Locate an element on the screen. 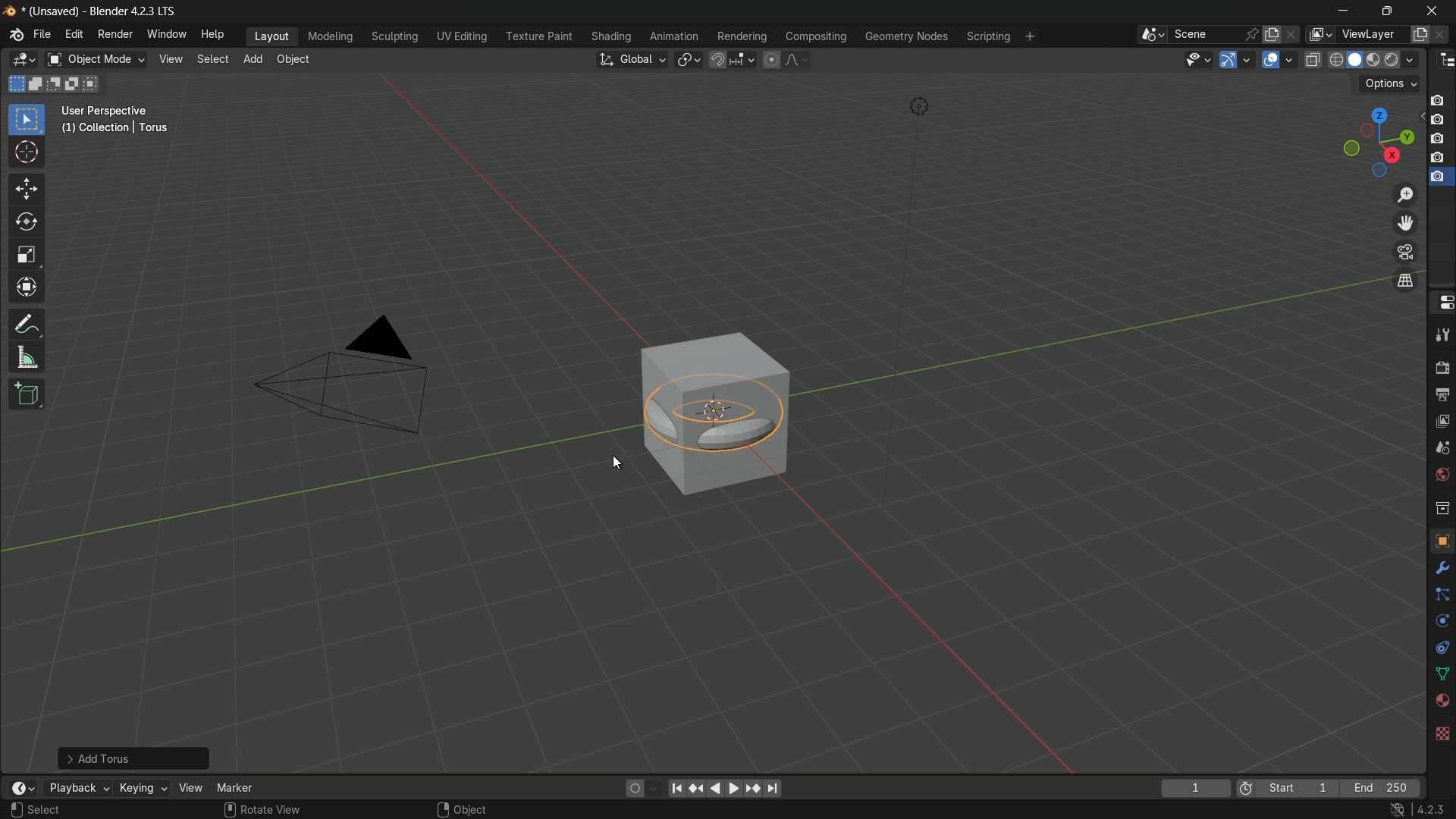  pin scene to workplace is located at coordinates (1252, 34).